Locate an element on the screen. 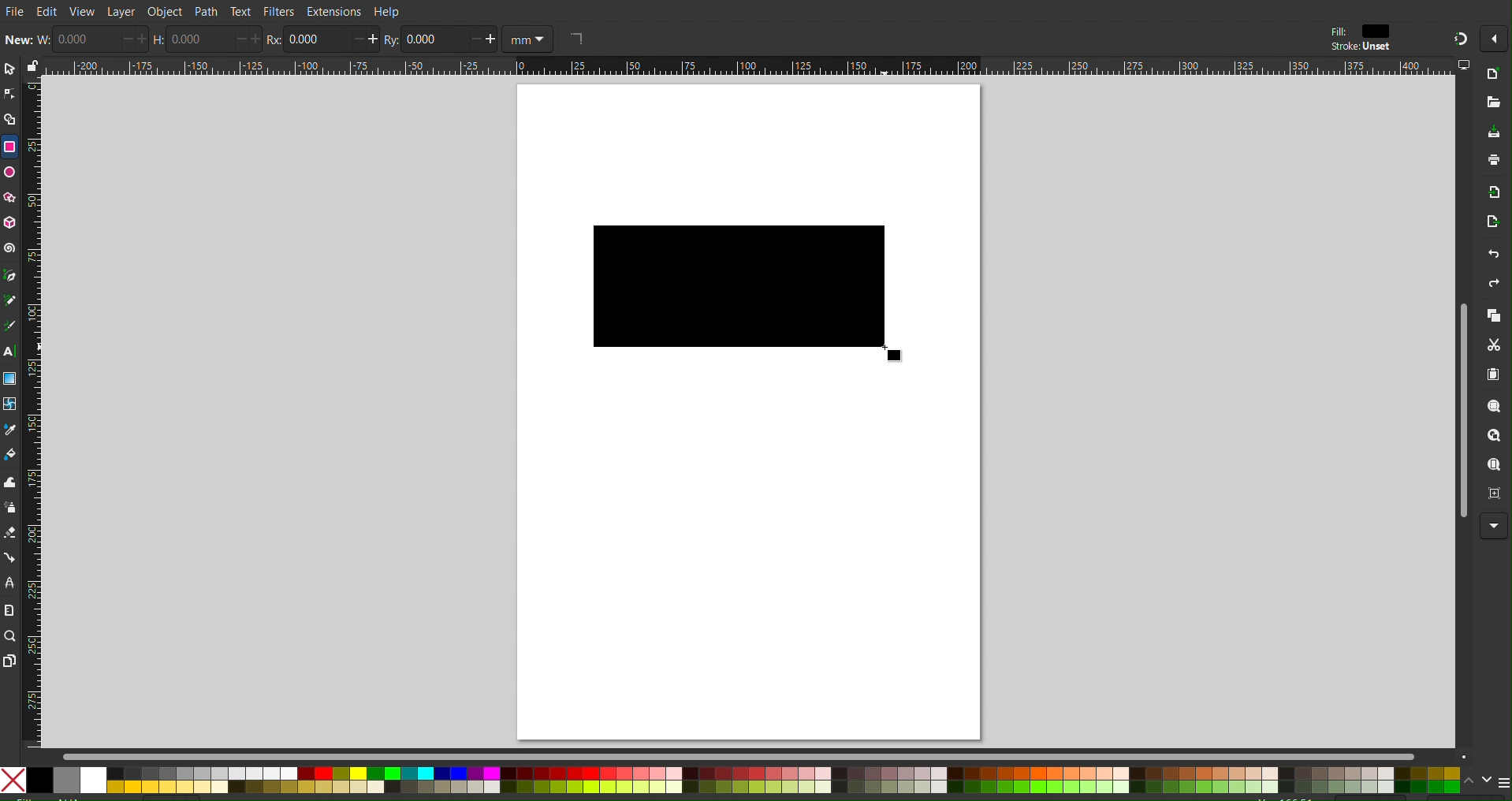  Edit is located at coordinates (47, 12).